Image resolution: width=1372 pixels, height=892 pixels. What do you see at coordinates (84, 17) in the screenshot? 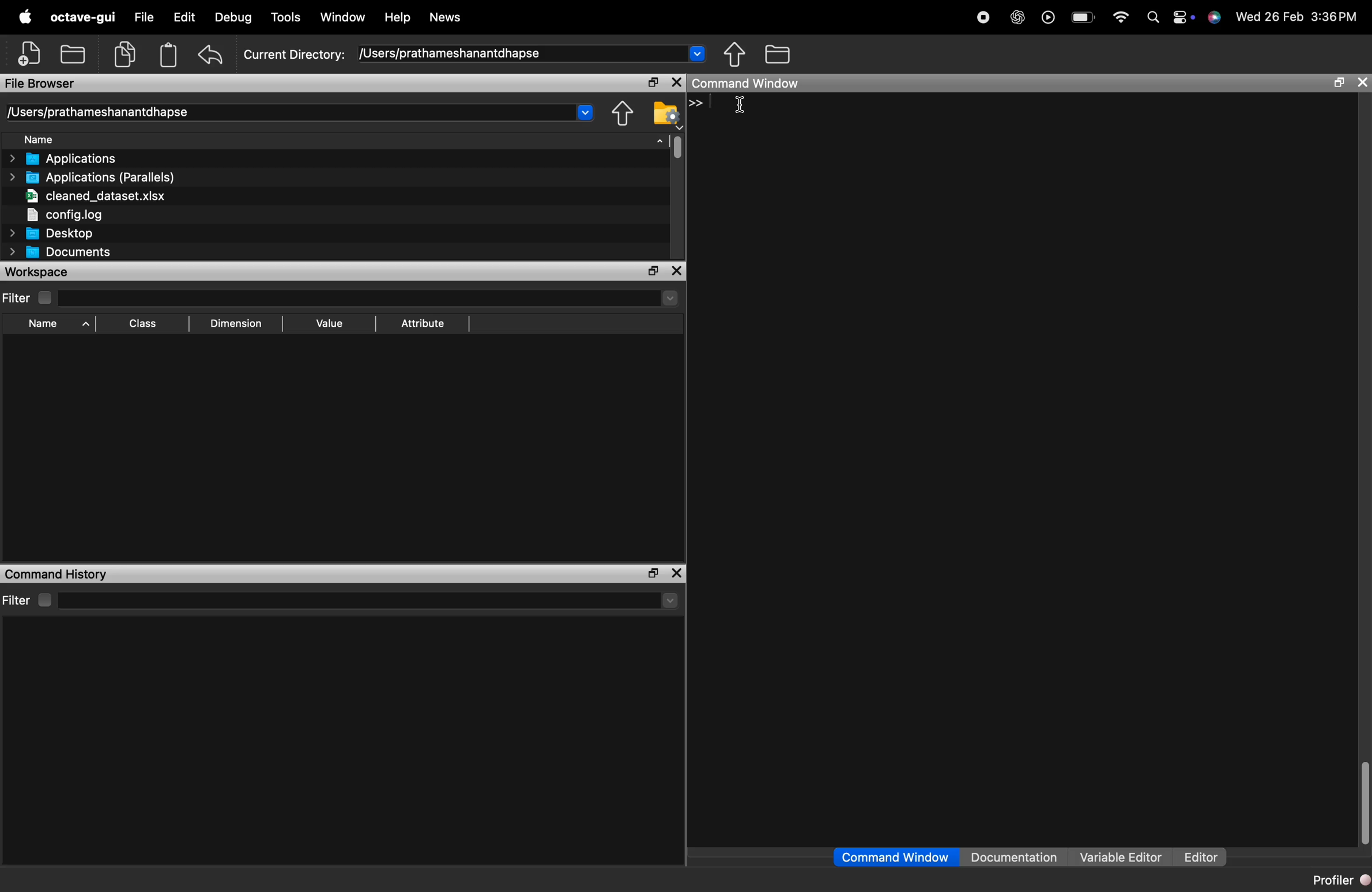
I see `octave-gui` at bounding box center [84, 17].